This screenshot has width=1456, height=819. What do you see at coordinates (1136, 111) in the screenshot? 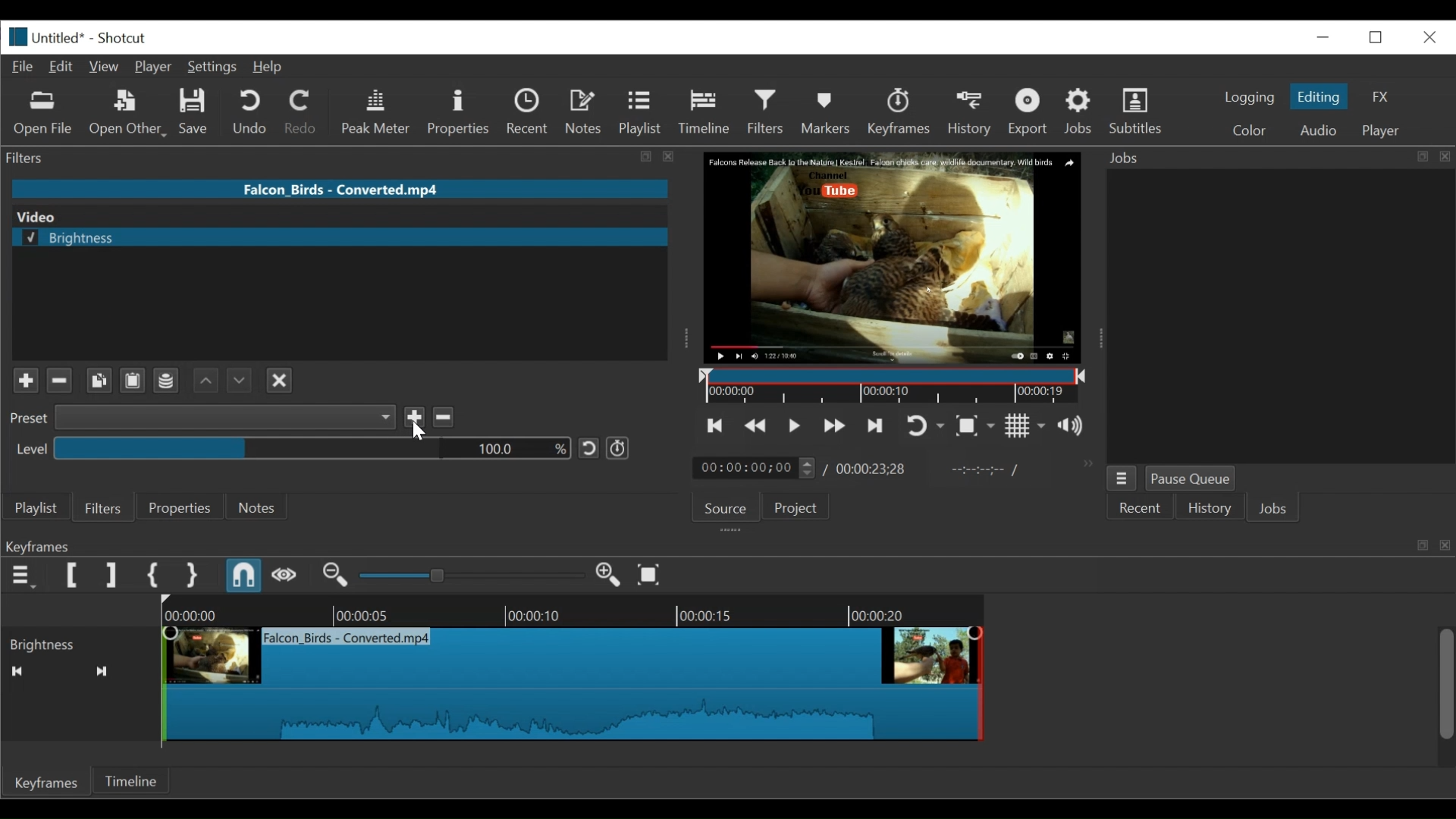
I see `Subtitles` at bounding box center [1136, 111].